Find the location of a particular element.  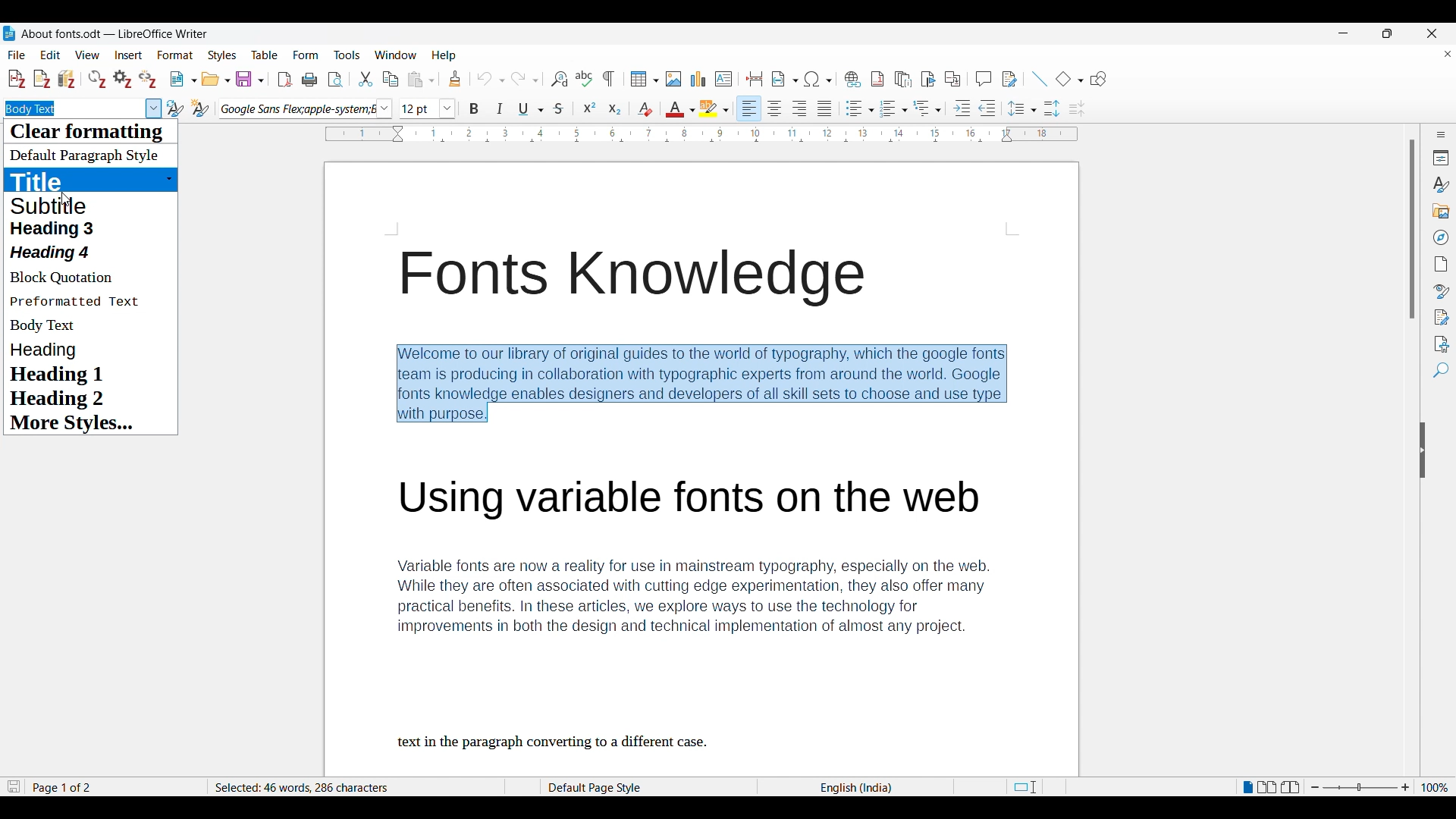

Justified alignment is located at coordinates (824, 108).